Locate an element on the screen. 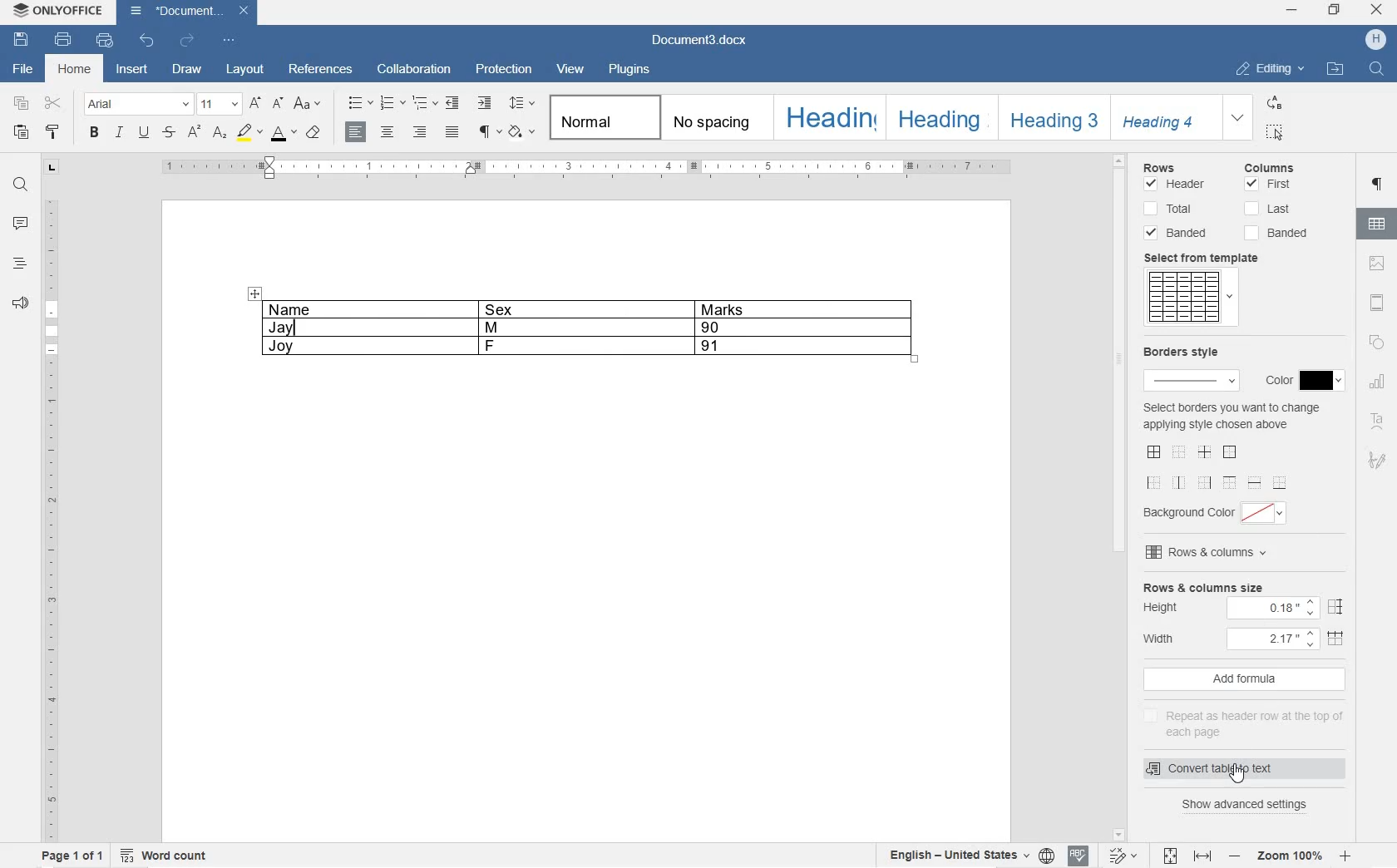 This screenshot has height=868, width=1397. CUSTOMIZE QUICK ACCESSTOOLBAR is located at coordinates (230, 41).